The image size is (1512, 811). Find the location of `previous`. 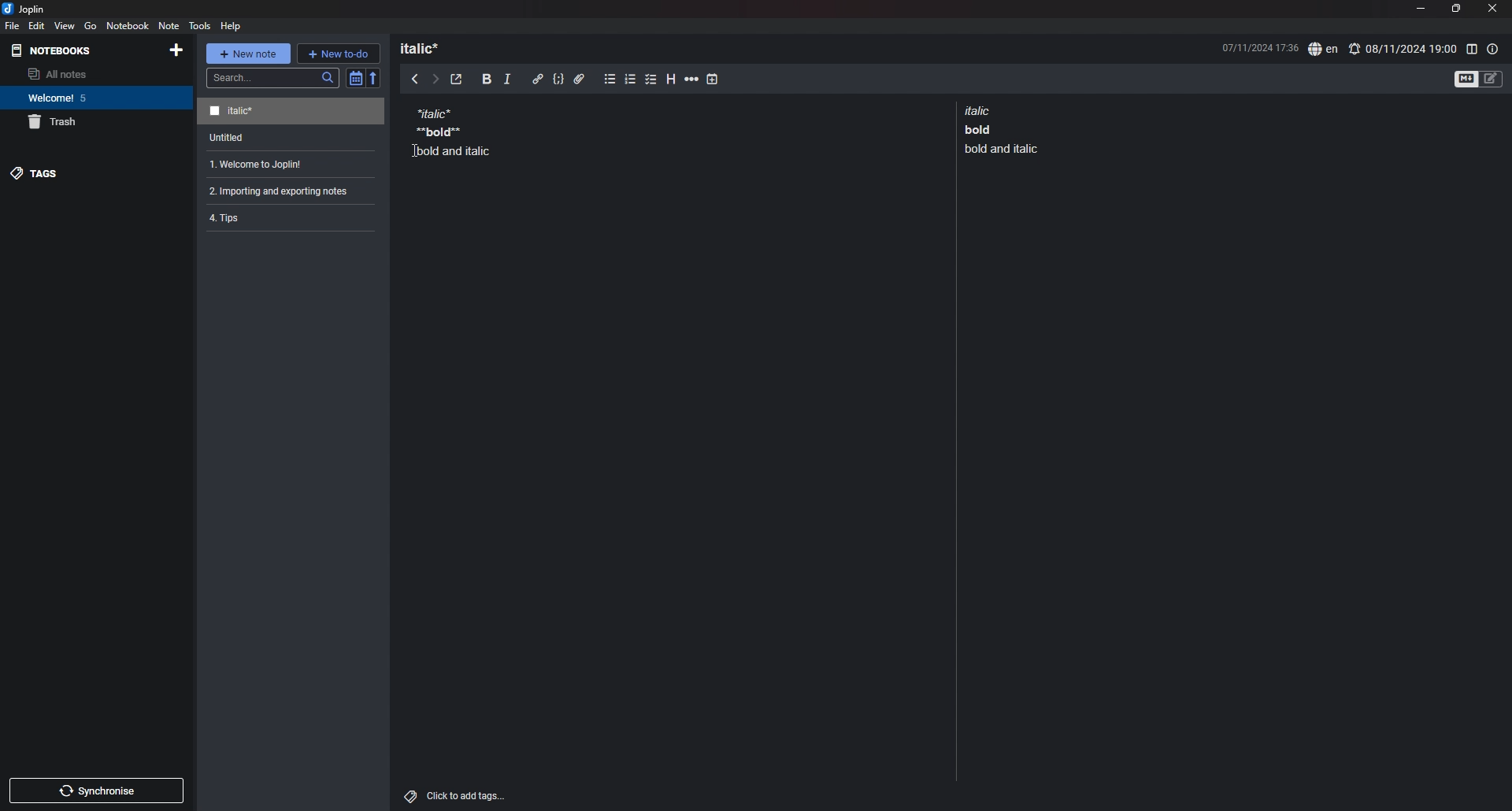

previous is located at coordinates (415, 78).